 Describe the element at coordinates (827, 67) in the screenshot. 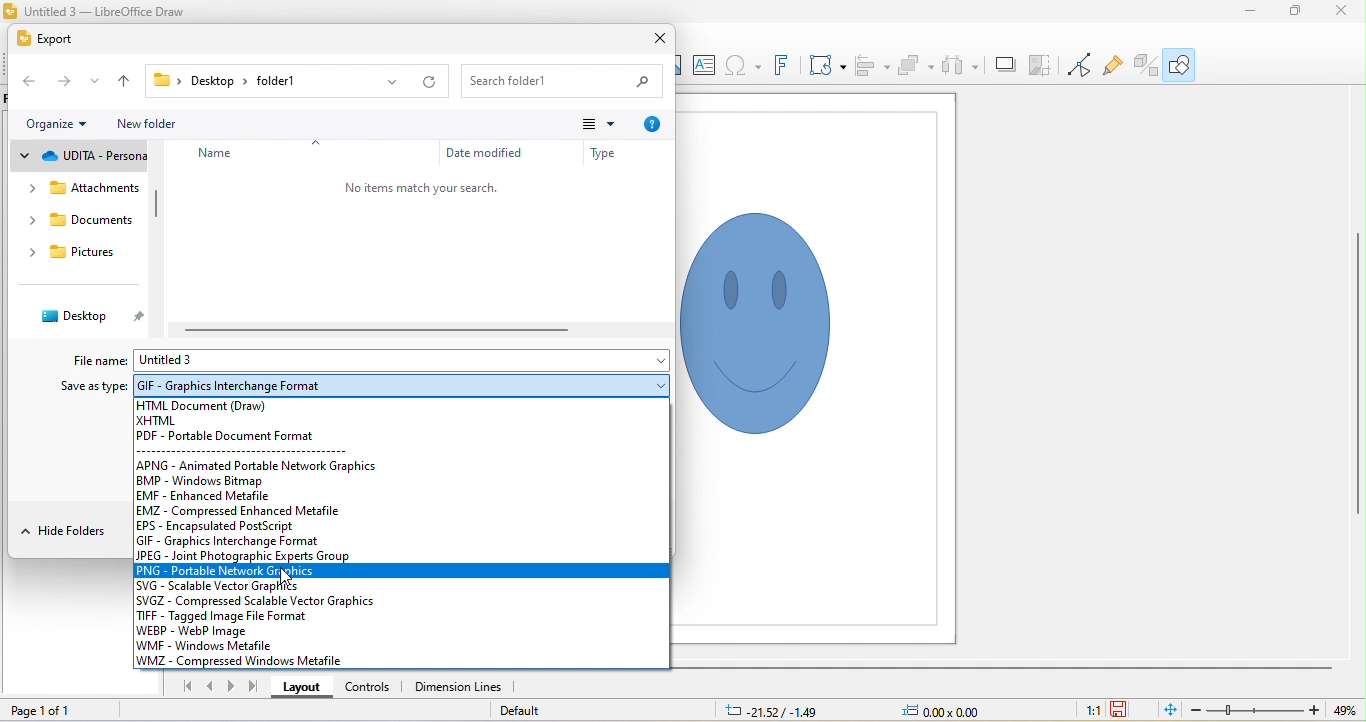

I see `transformations` at that location.